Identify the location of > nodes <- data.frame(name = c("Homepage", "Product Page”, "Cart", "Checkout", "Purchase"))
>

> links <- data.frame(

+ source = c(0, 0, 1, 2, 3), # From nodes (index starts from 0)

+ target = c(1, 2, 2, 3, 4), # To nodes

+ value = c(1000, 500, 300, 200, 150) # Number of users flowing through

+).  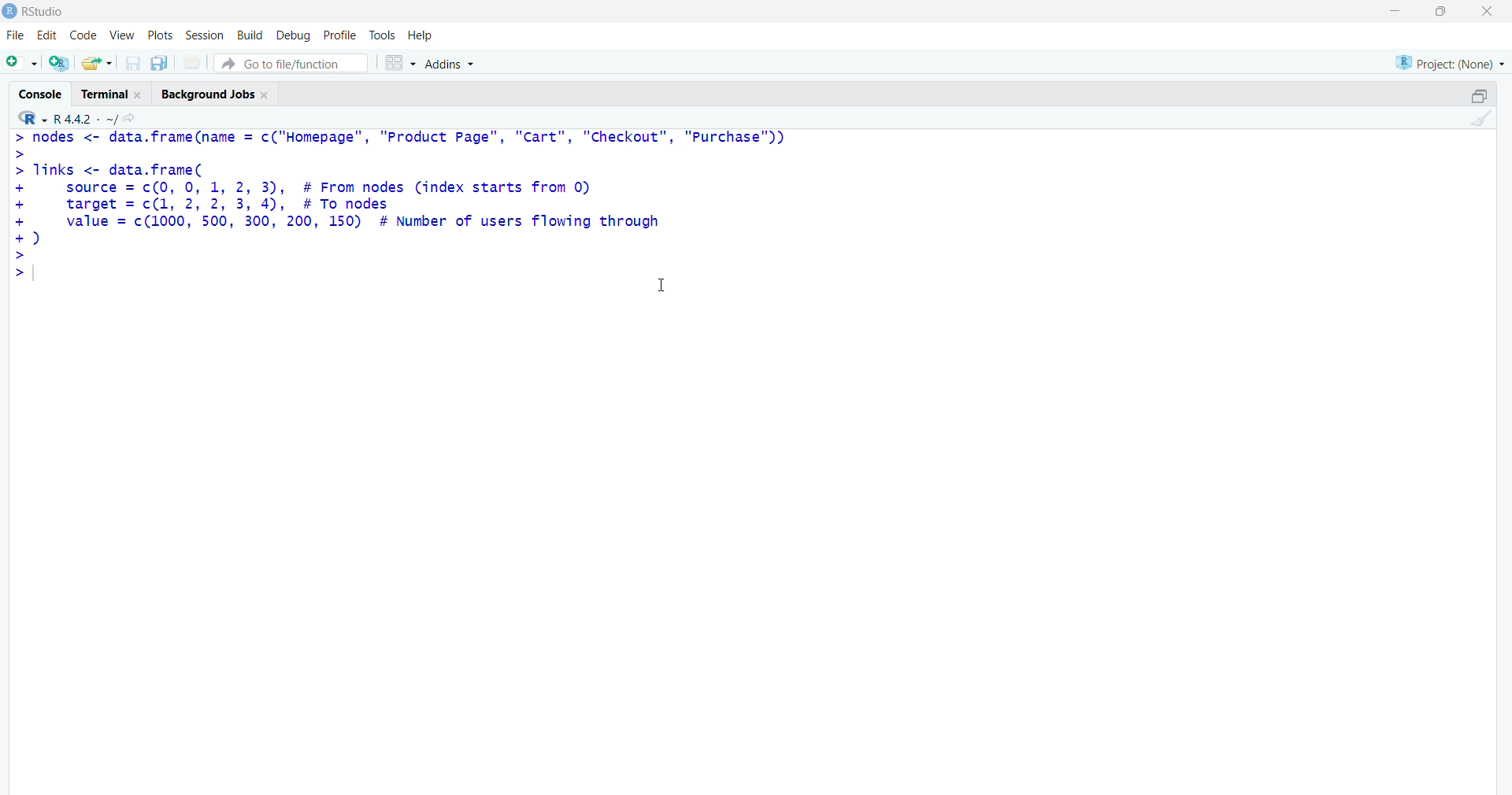
(415, 209).